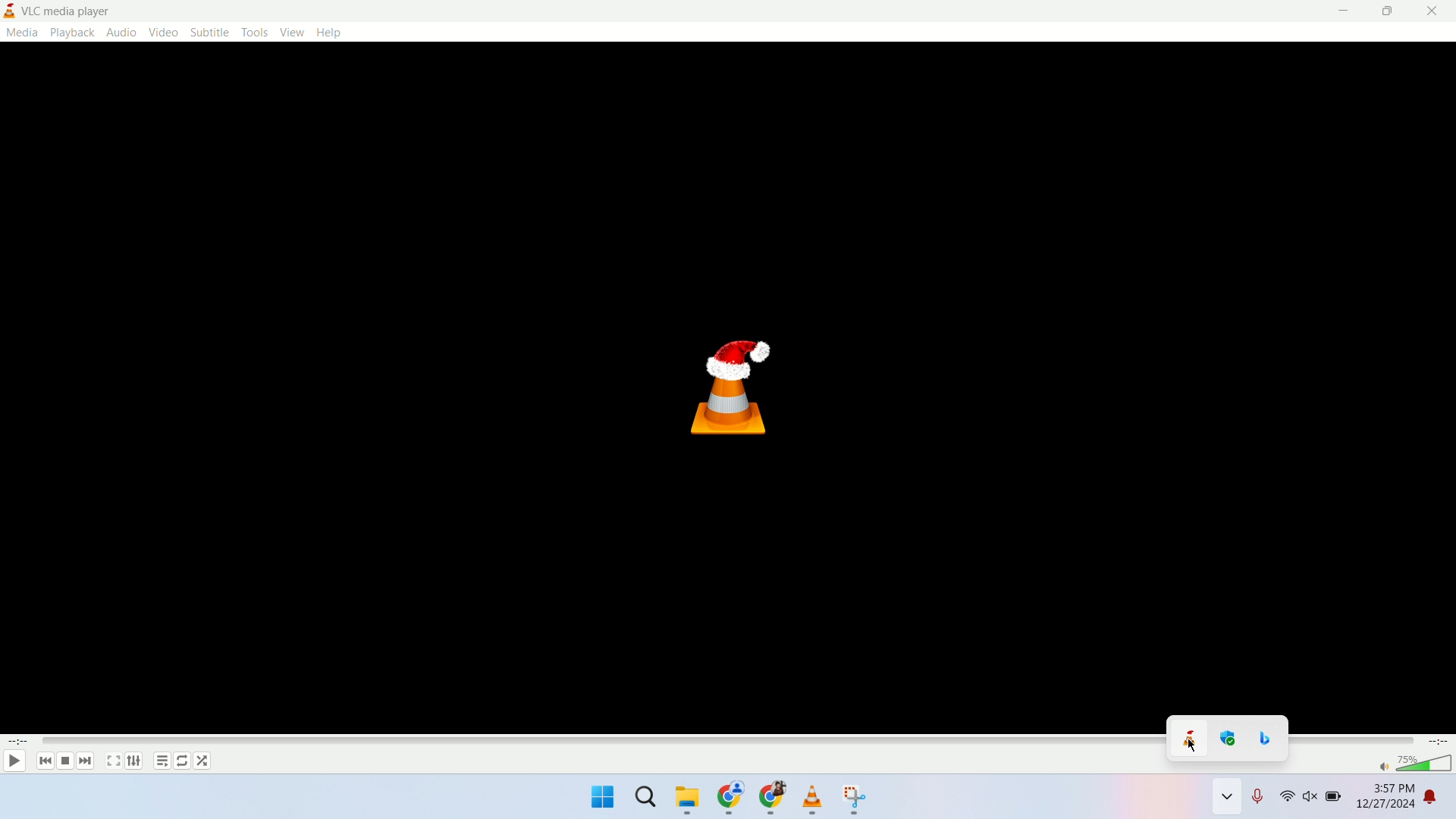 The height and width of the screenshot is (819, 1456). Describe the element at coordinates (1382, 767) in the screenshot. I see `mute` at that location.